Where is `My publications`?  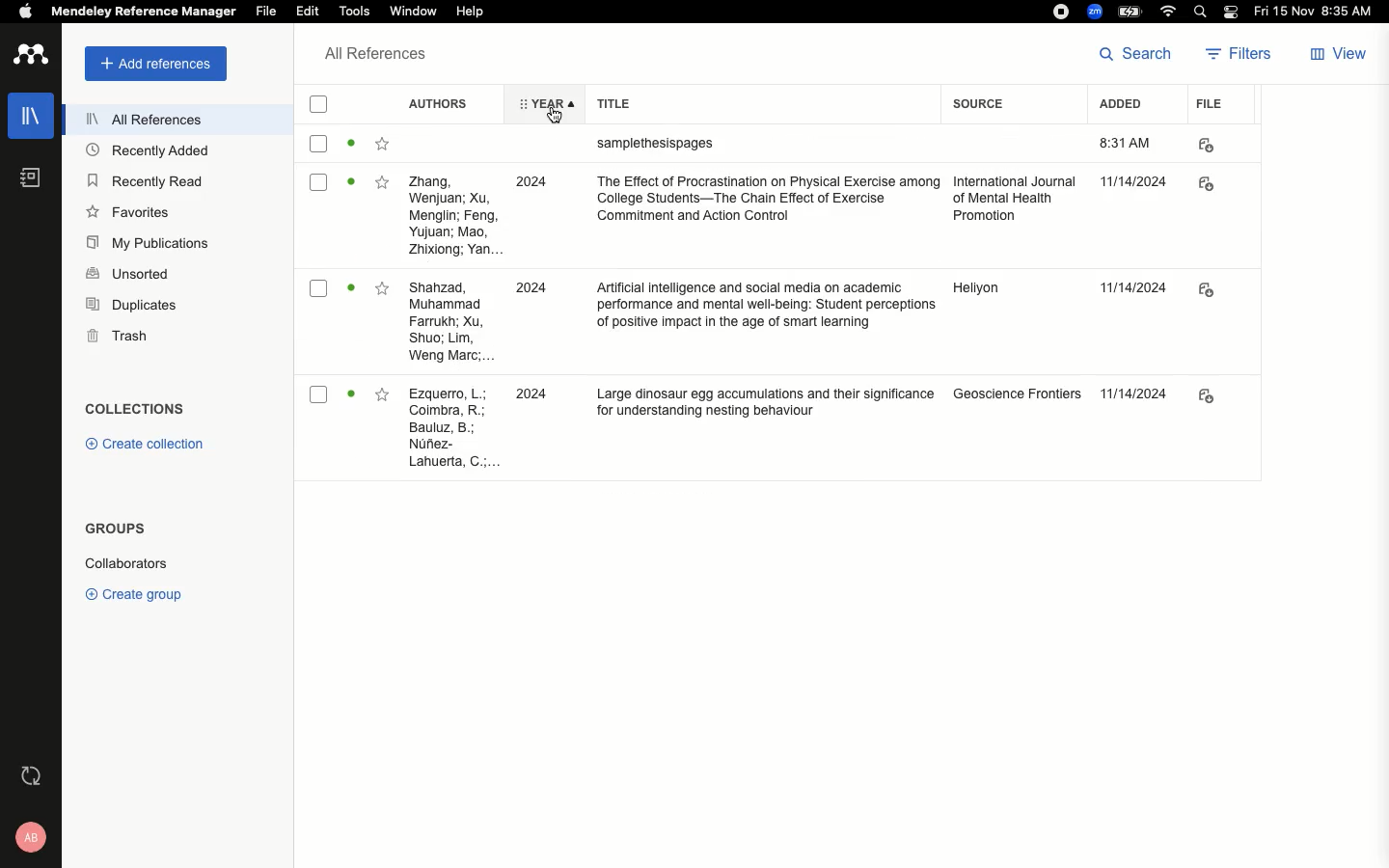 My publications is located at coordinates (147, 243).